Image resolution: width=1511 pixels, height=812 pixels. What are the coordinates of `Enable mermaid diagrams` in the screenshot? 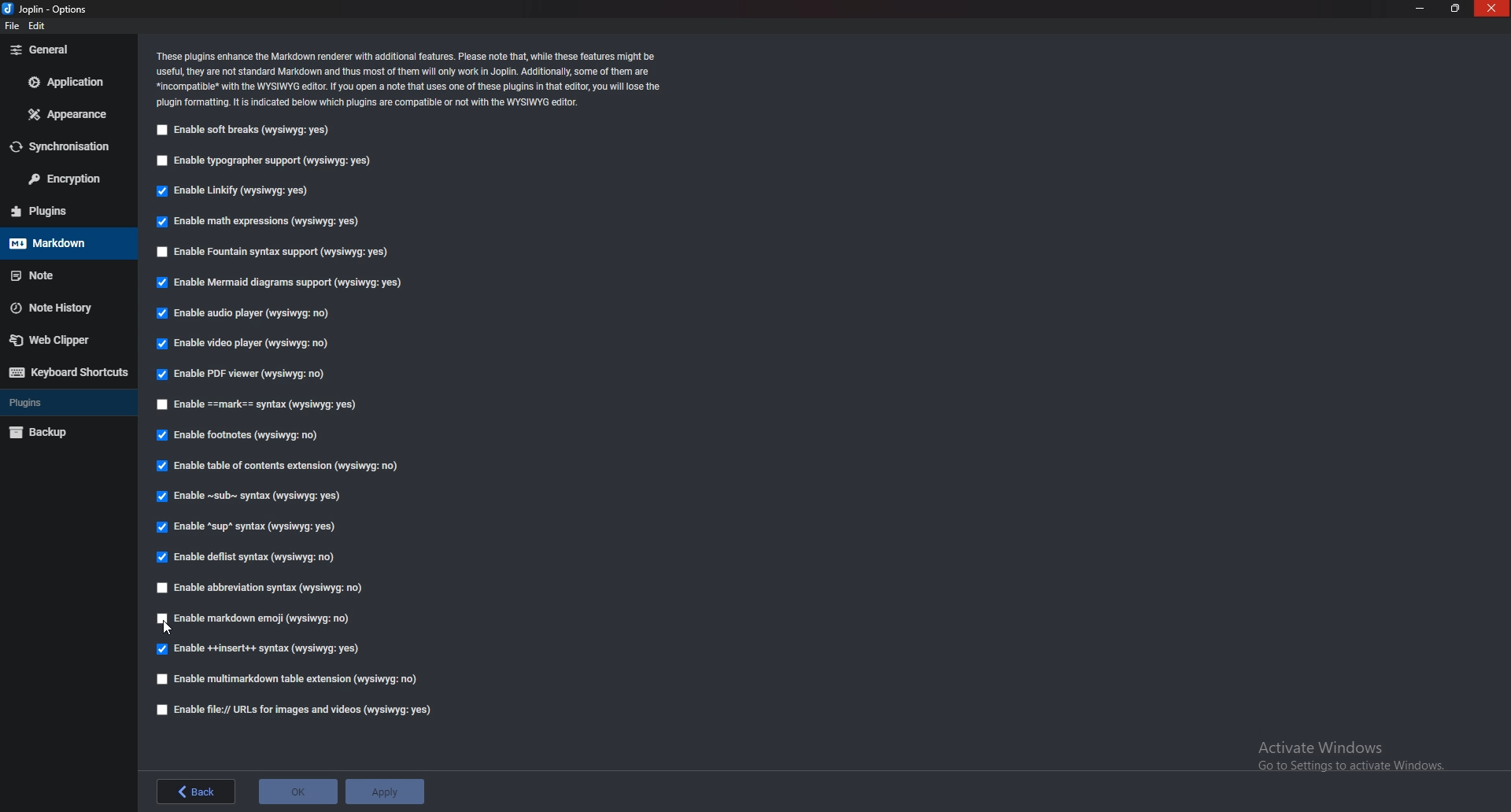 It's located at (283, 282).